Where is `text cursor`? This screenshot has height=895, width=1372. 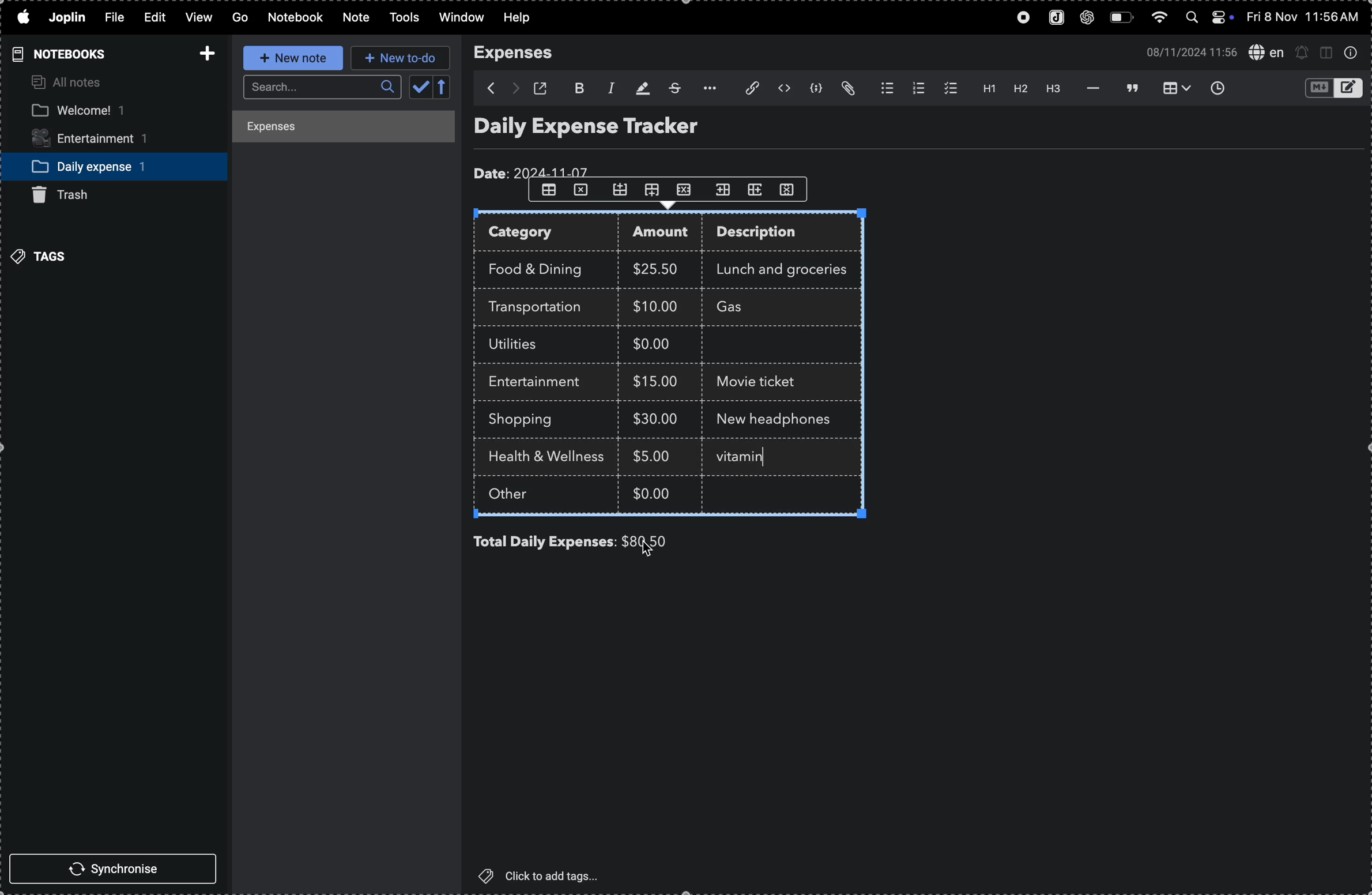
text cursor is located at coordinates (738, 458).